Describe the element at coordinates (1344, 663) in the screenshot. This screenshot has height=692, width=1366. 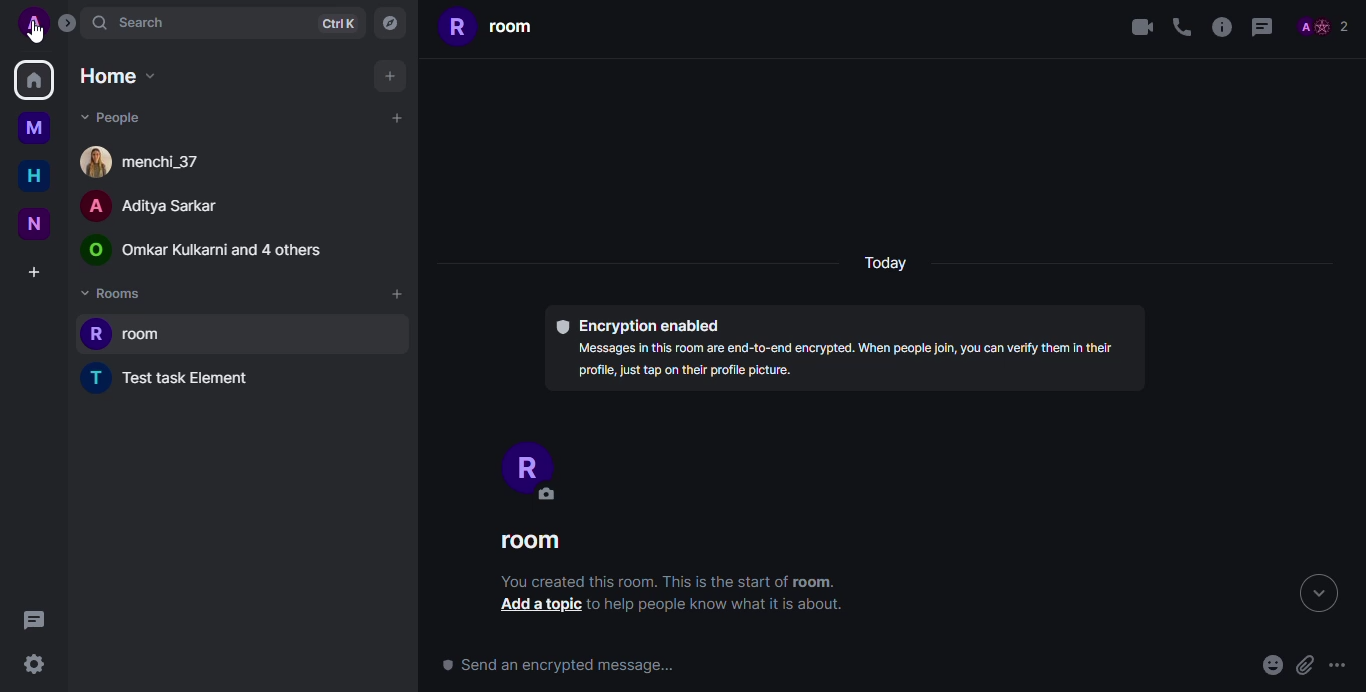
I see `Ellipsis` at that location.